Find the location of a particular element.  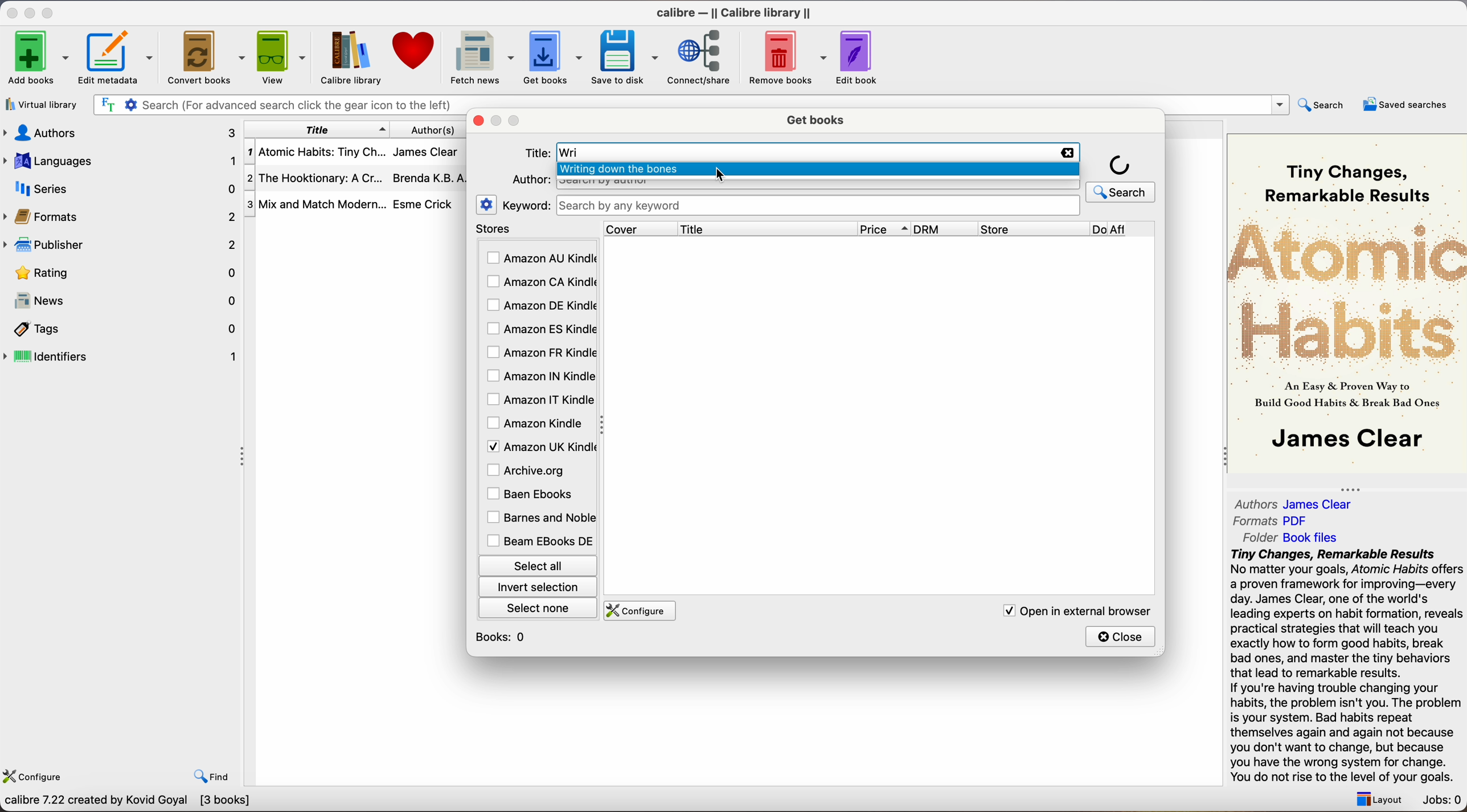

title is located at coordinates (317, 129).